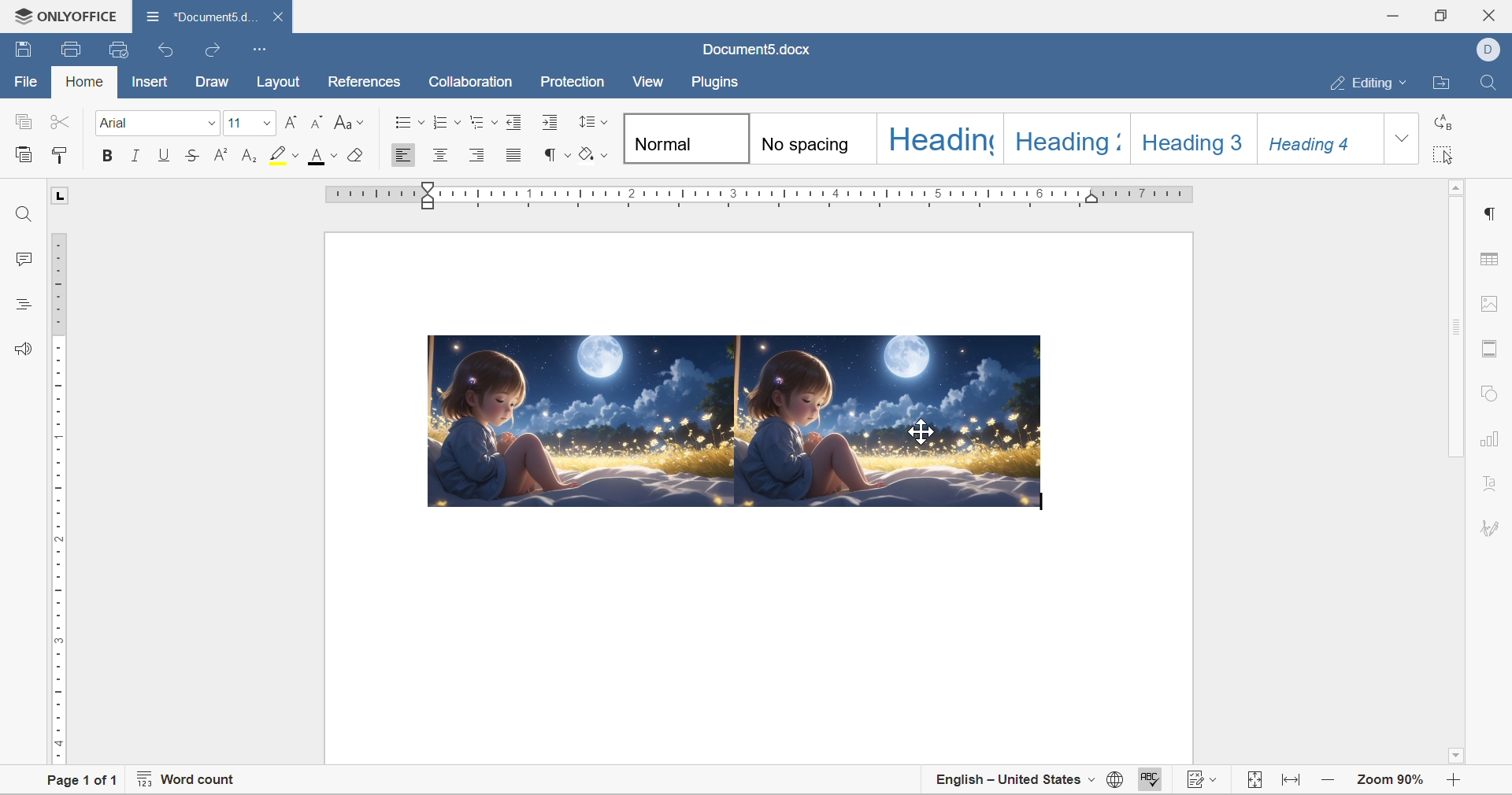 The width and height of the screenshot is (1512, 795). Describe the element at coordinates (22, 121) in the screenshot. I see `copy` at that location.